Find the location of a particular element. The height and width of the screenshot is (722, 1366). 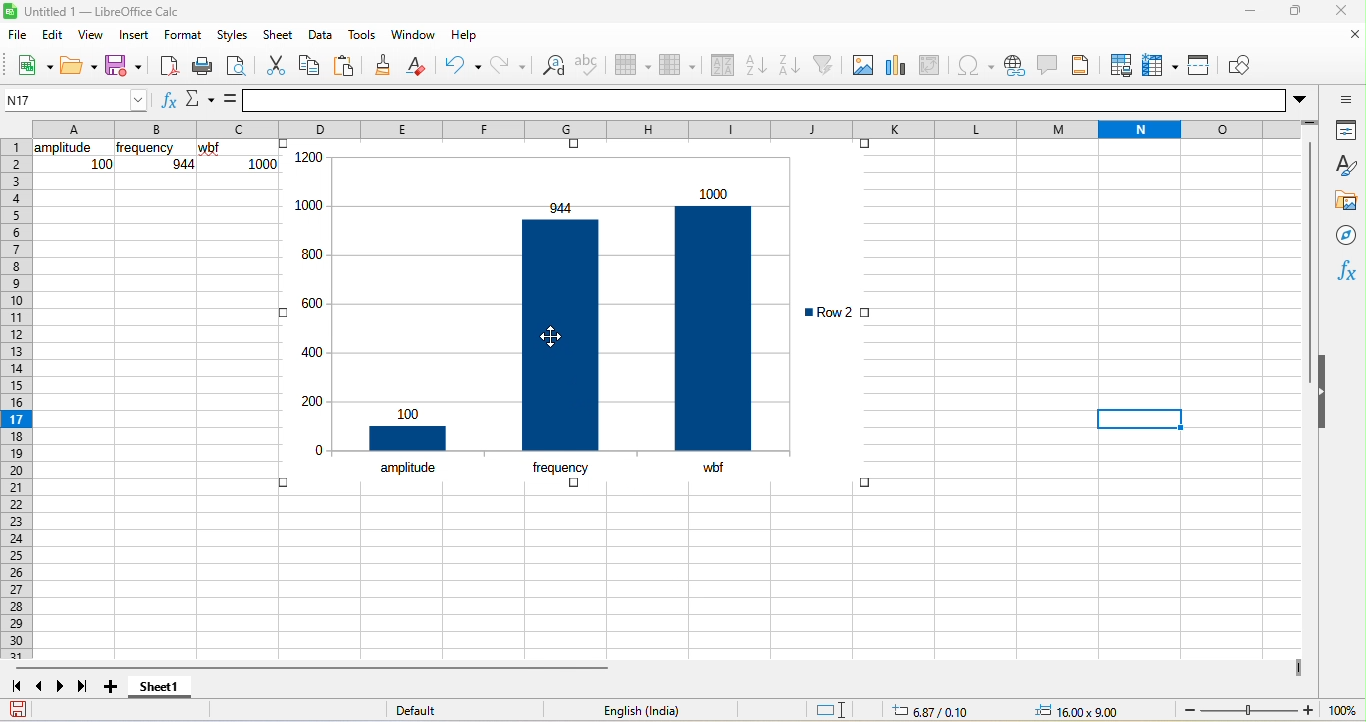

sort ascending is located at coordinates (754, 65).